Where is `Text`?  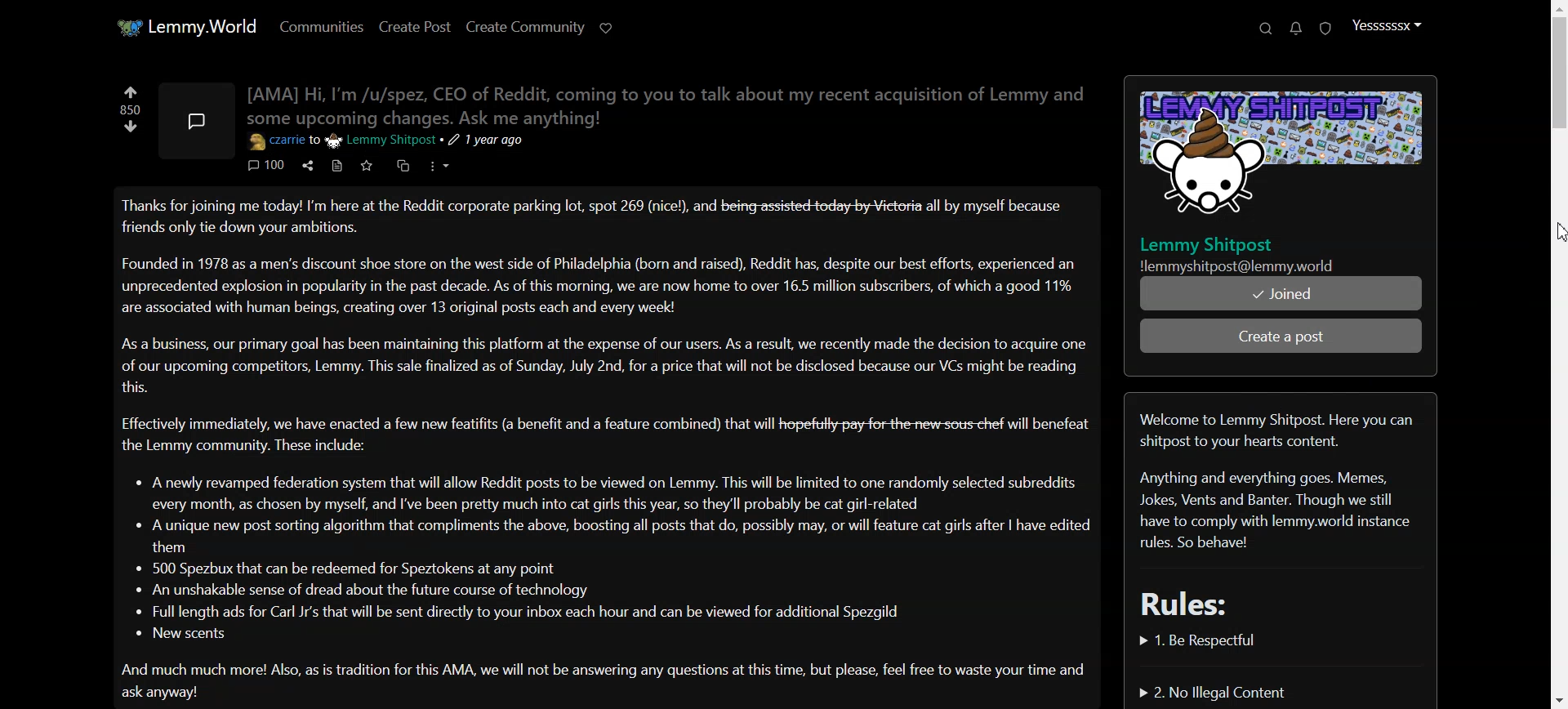 Text is located at coordinates (670, 102).